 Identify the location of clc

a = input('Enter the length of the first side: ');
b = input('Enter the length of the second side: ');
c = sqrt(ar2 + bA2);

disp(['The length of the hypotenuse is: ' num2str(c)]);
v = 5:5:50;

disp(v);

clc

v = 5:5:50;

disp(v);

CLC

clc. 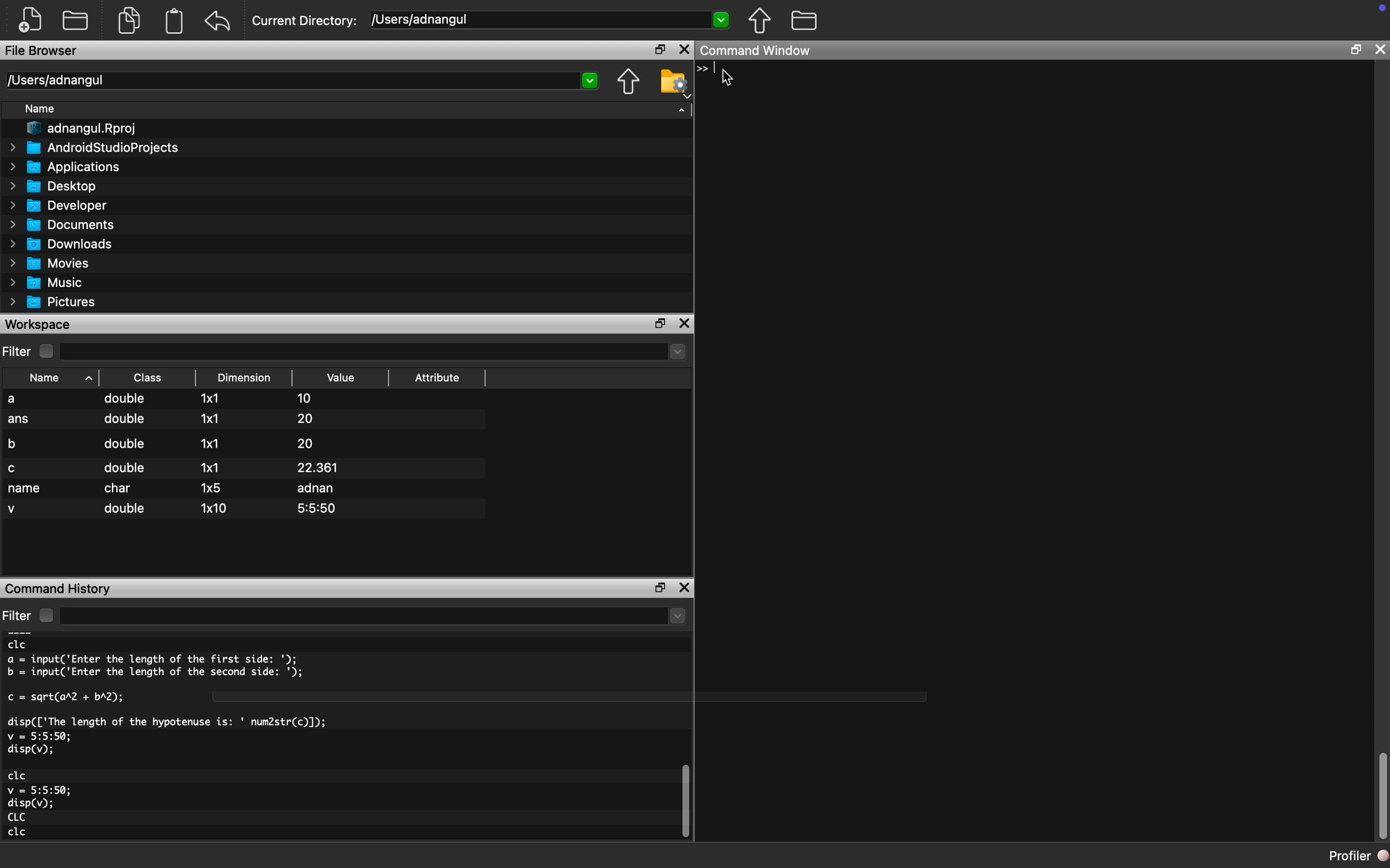
(206, 741).